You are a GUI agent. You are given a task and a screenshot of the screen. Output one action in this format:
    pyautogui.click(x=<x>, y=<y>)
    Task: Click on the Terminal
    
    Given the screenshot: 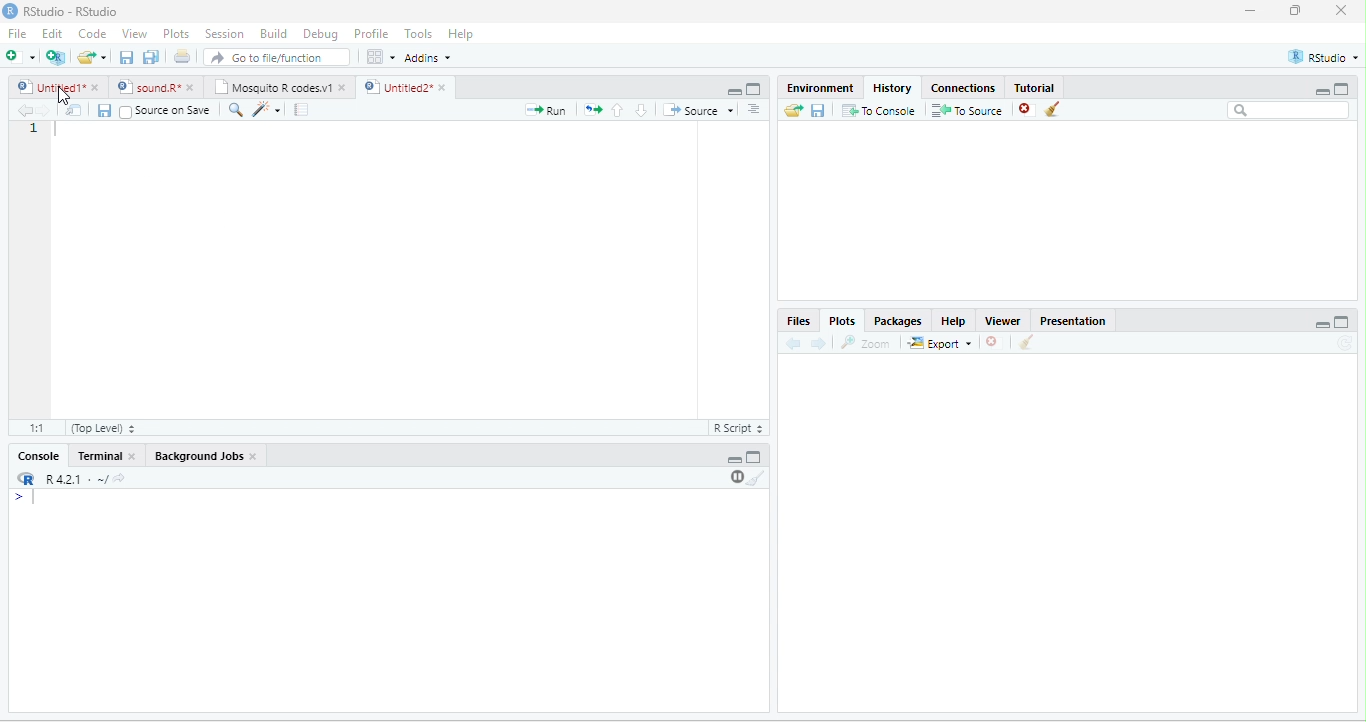 What is the action you would take?
    pyautogui.click(x=97, y=455)
    